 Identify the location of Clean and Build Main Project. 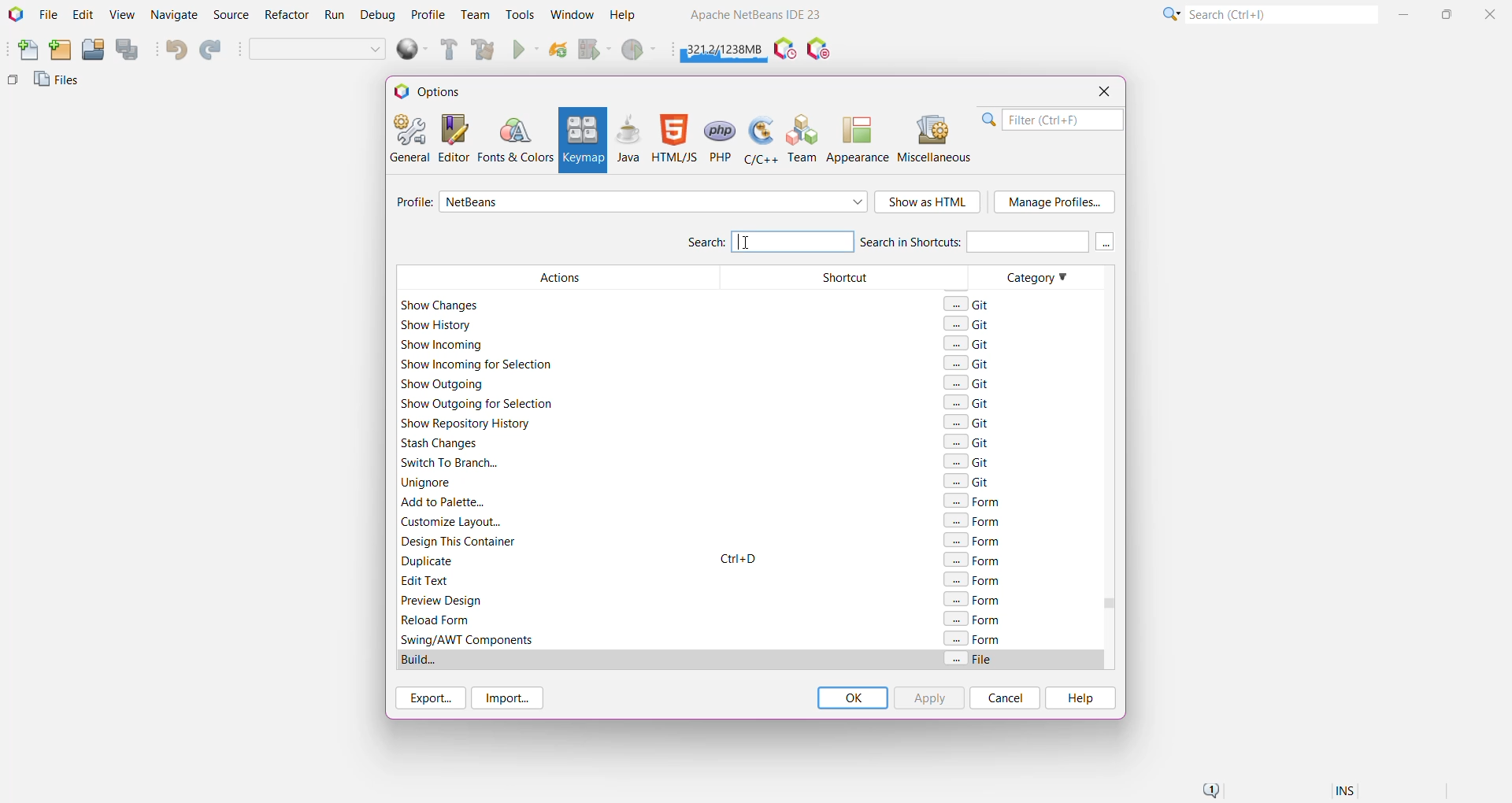
(486, 51).